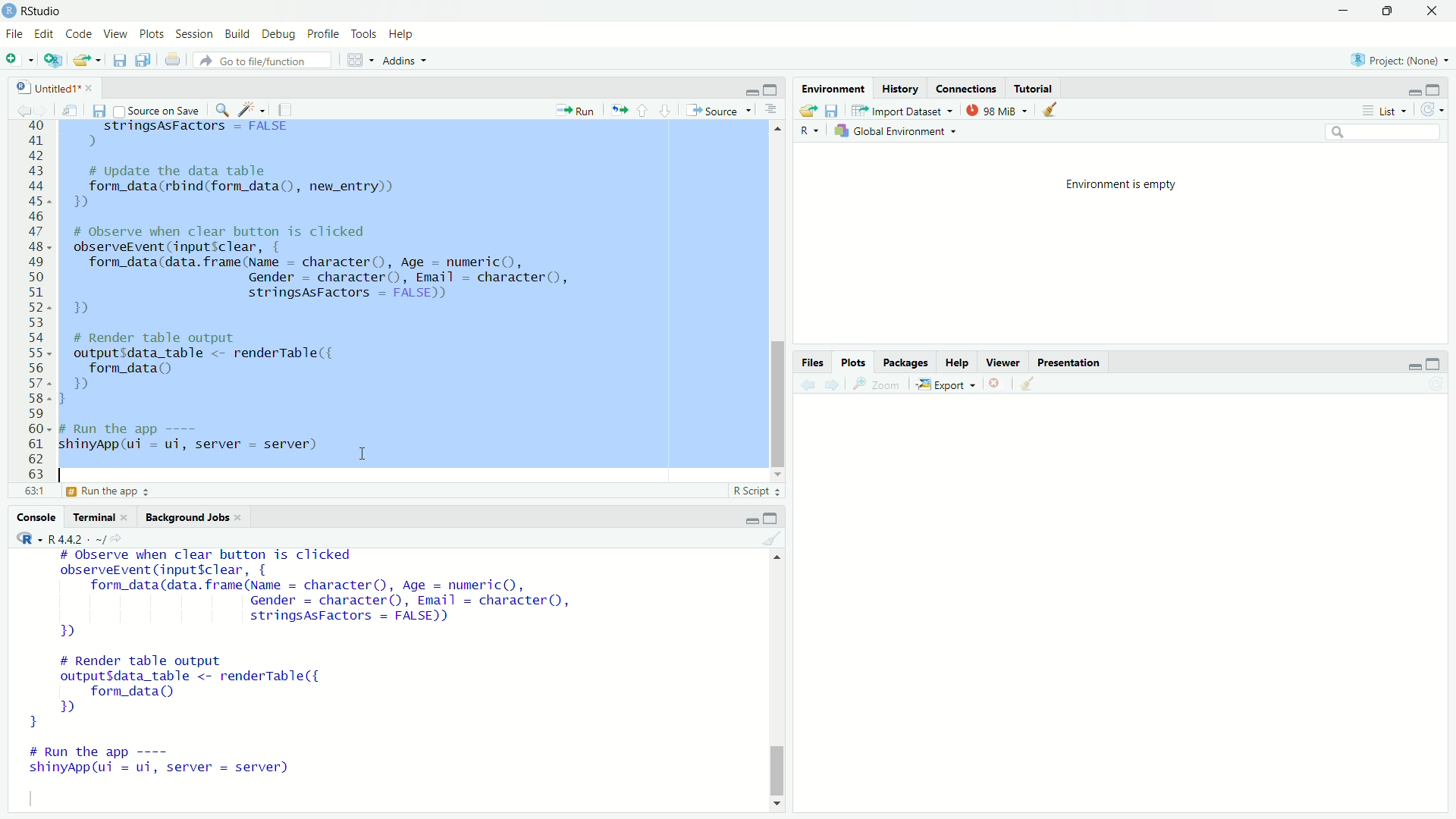  Describe the element at coordinates (171, 60) in the screenshot. I see `print the current file` at that location.